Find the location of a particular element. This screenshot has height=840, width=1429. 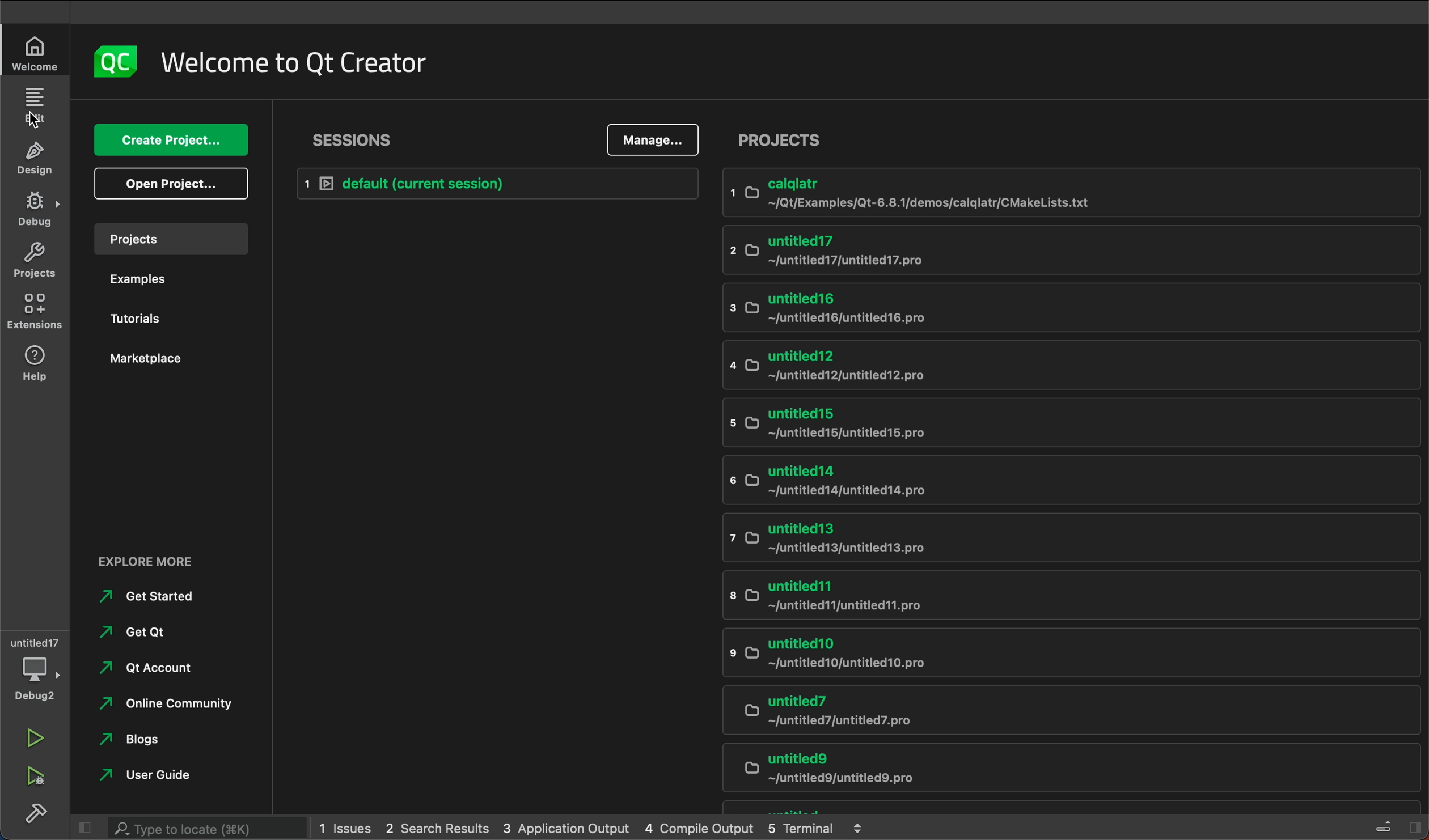

hide left side bar is located at coordinates (81, 829).